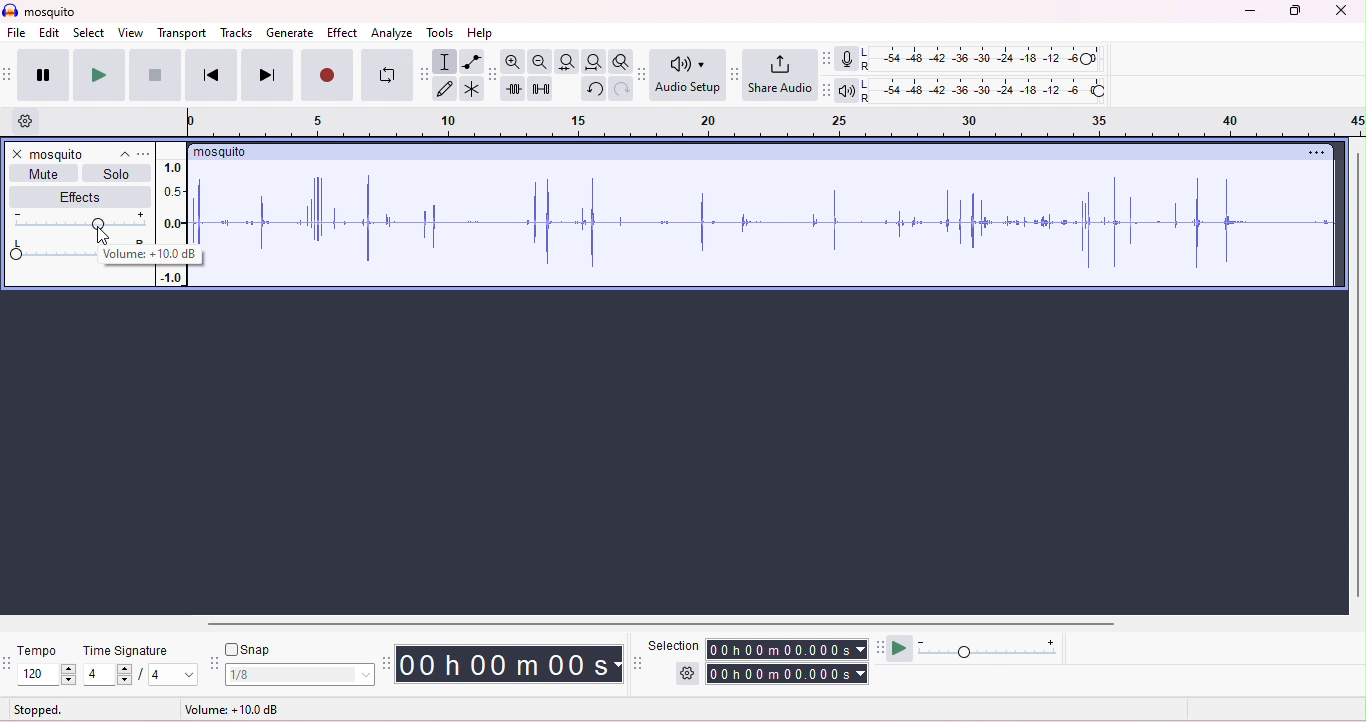 This screenshot has height=722, width=1366. Describe the element at coordinates (541, 90) in the screenshot. I see `silence selection` at that location.